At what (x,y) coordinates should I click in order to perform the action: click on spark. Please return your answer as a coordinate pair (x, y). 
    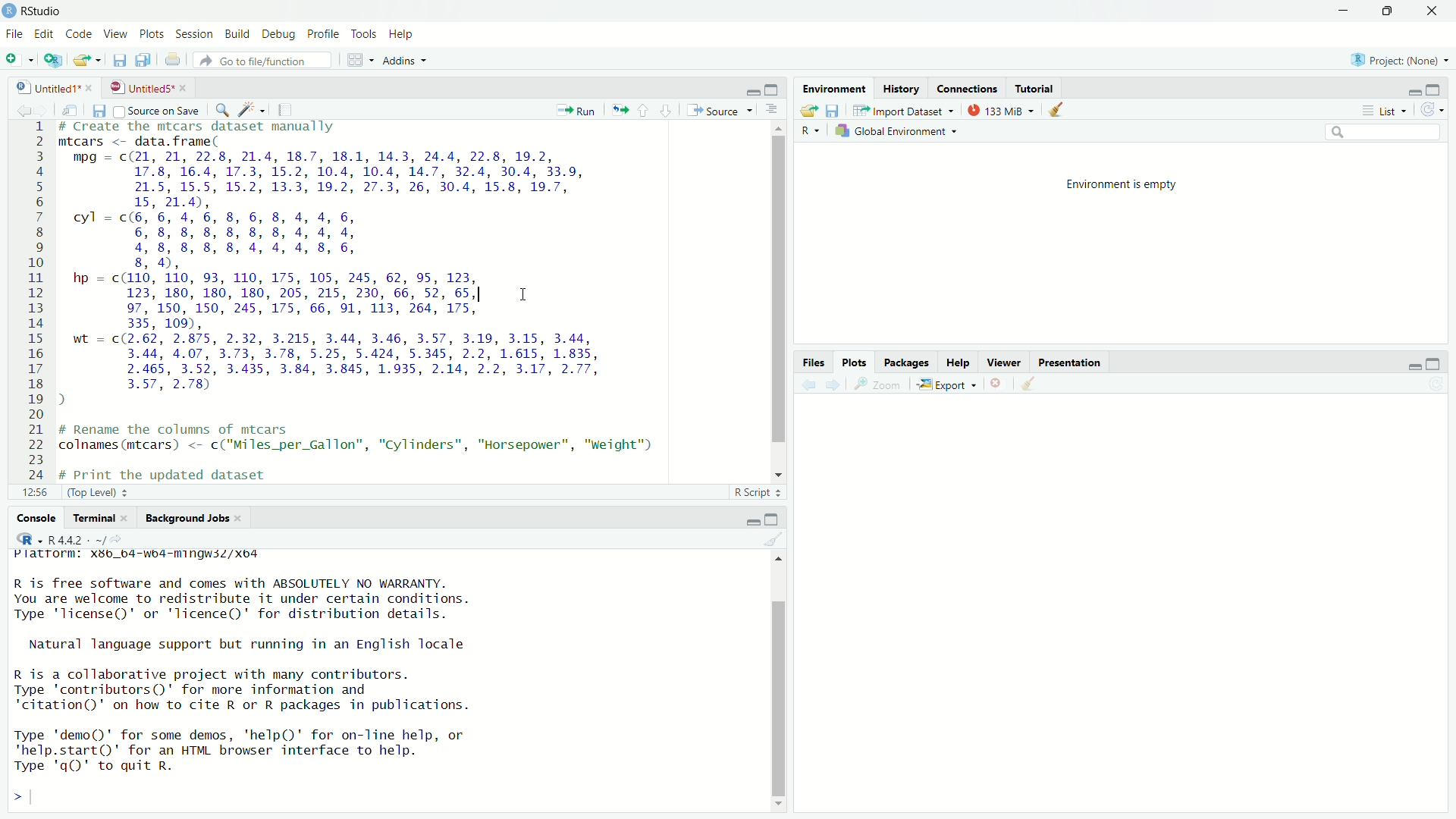
    Looking at the image, I should click on (249, 107).